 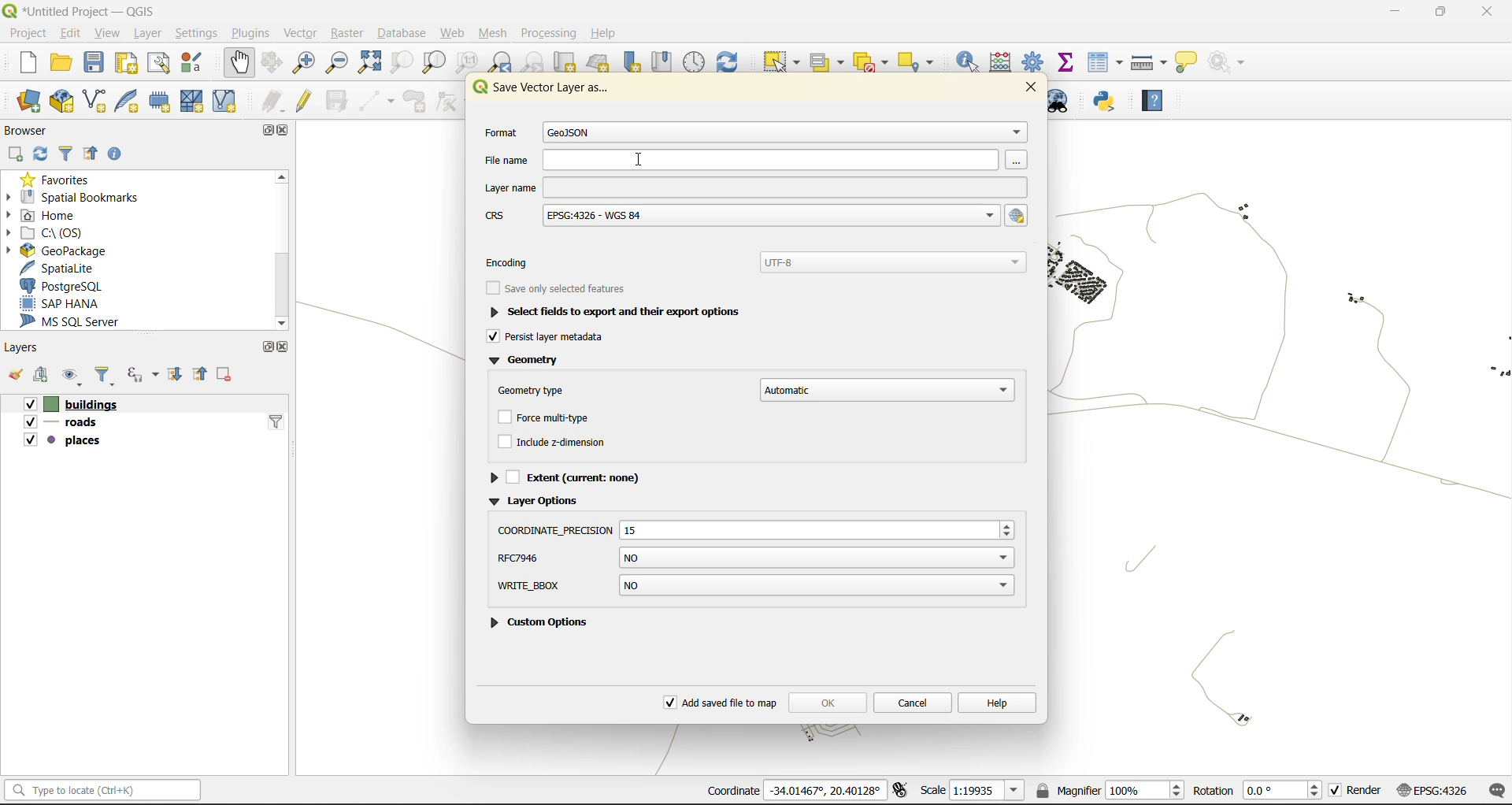 What do you see at coordinates (69, 377) in the screenshot?
I see `manage map` at bounding box center [69, 377].